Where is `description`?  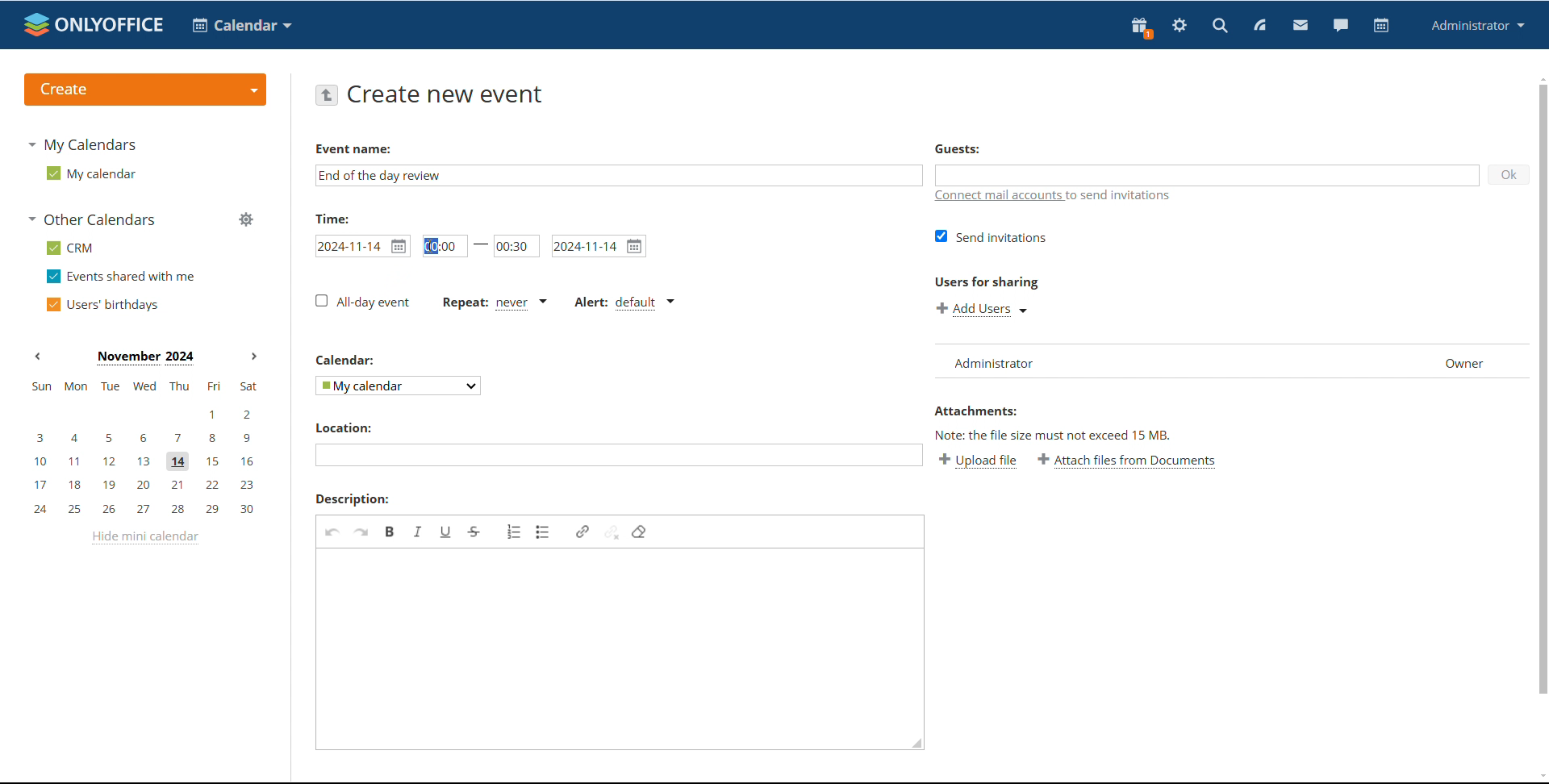 description is located at coordinates (353, 499).